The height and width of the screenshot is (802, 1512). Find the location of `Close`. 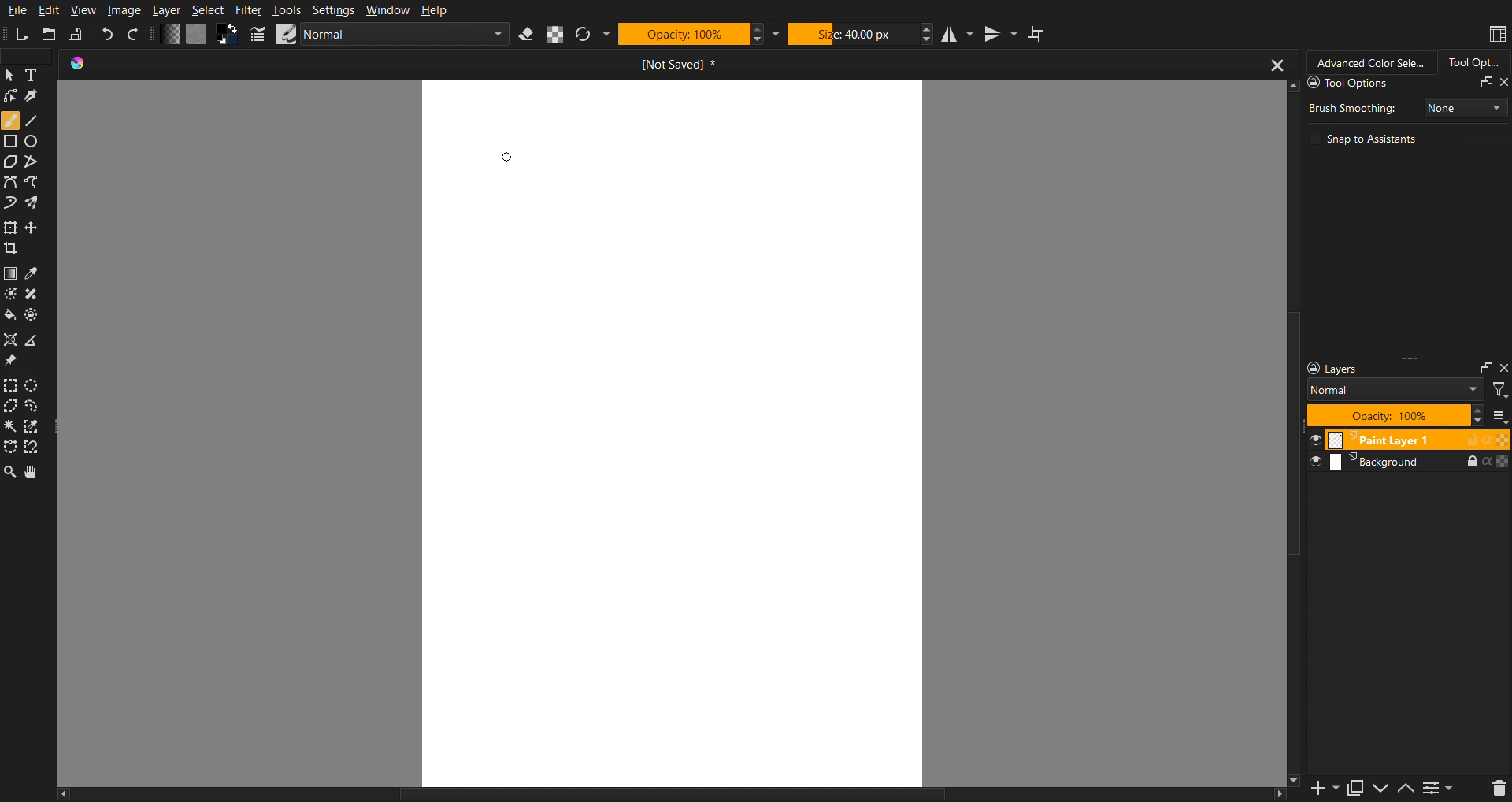

Close is located at coordinates (1503, 83).